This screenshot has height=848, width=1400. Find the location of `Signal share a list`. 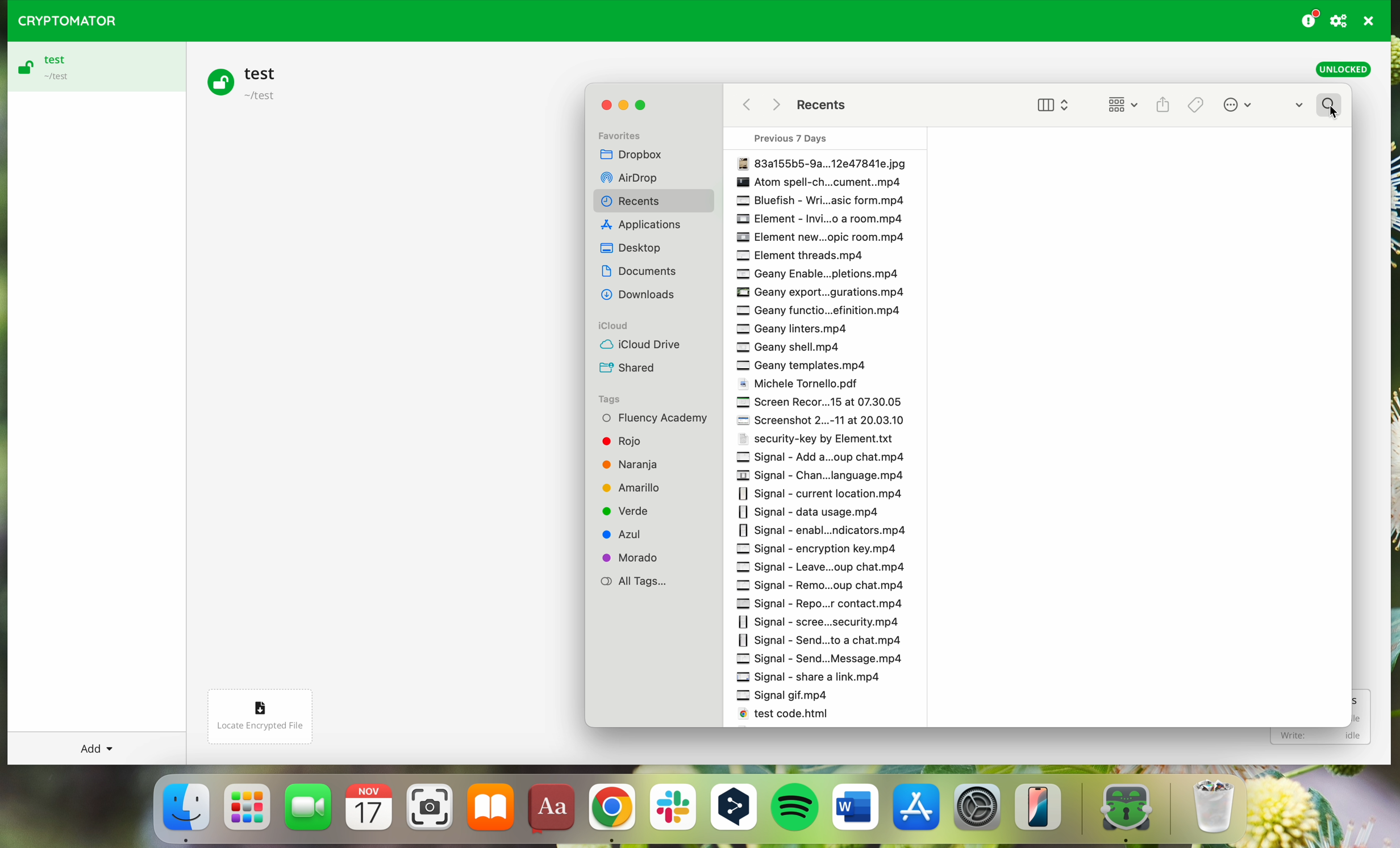

Signal share a list is located at coordinates (816, 678).